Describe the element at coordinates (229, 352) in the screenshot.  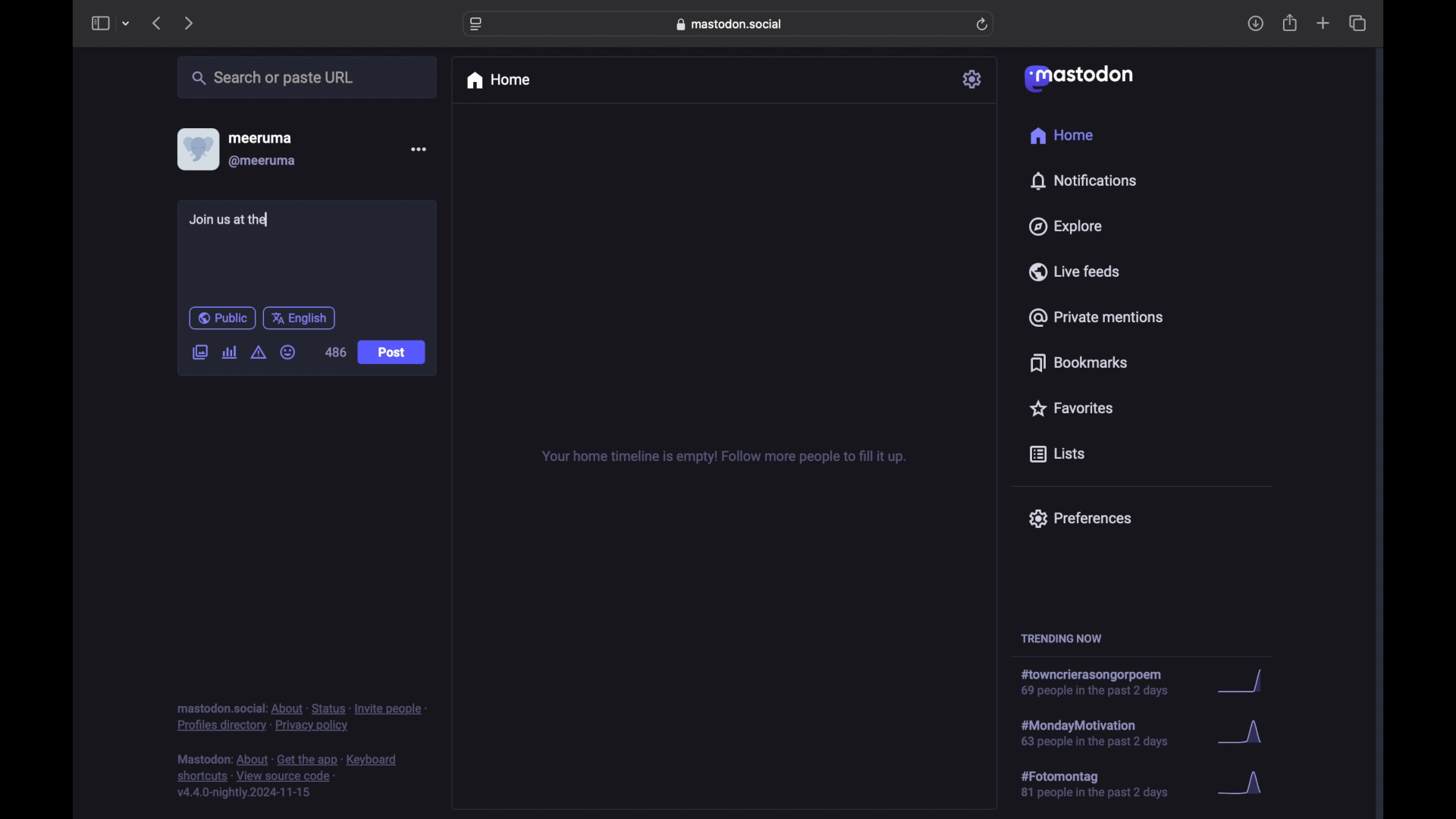
I see `add  poll` at that location.